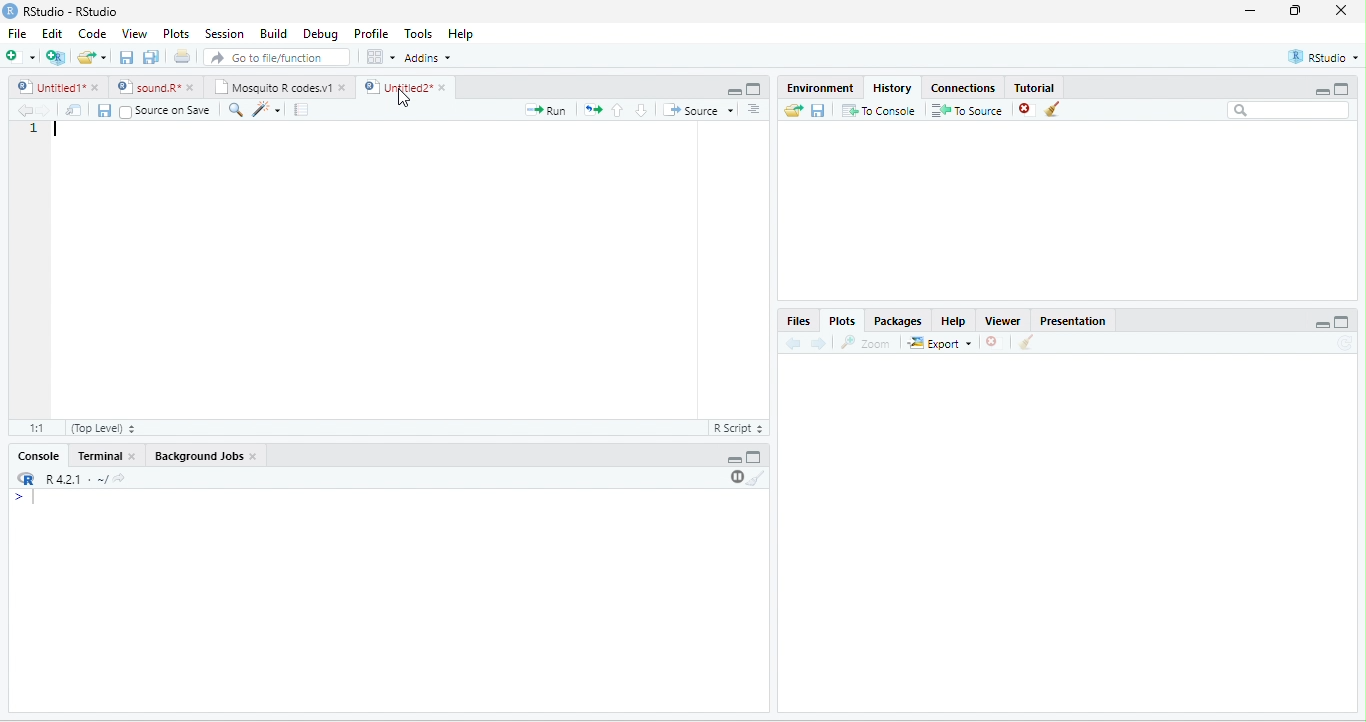  What do you see at coordinates (271, 87) in the screenshot?
I see `Mosquito R codes.v1` at bounding box center [271, 87].